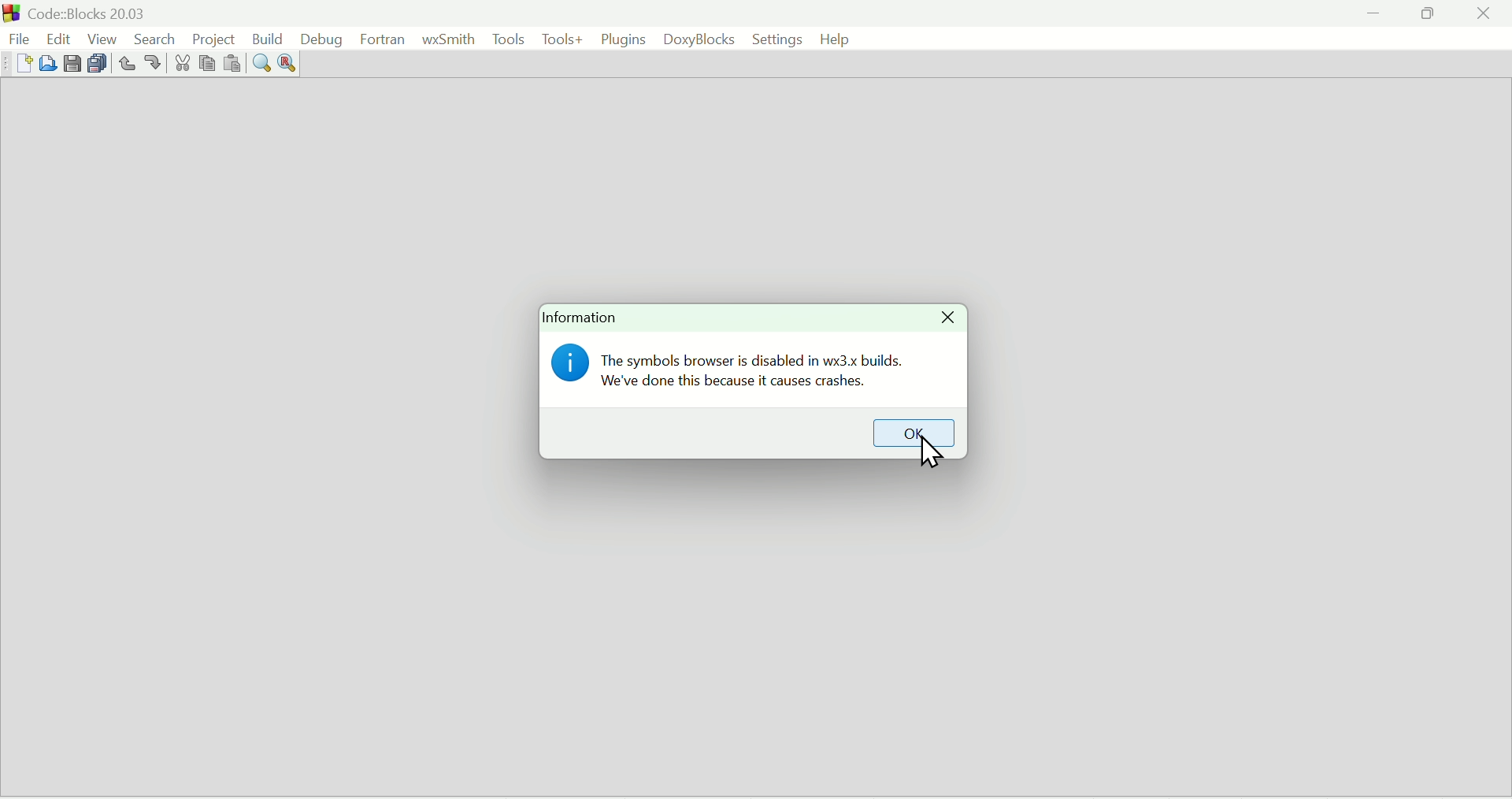 The width and height of the screenshot is (1512, 799). I want to click on Information, so click(584, 318).